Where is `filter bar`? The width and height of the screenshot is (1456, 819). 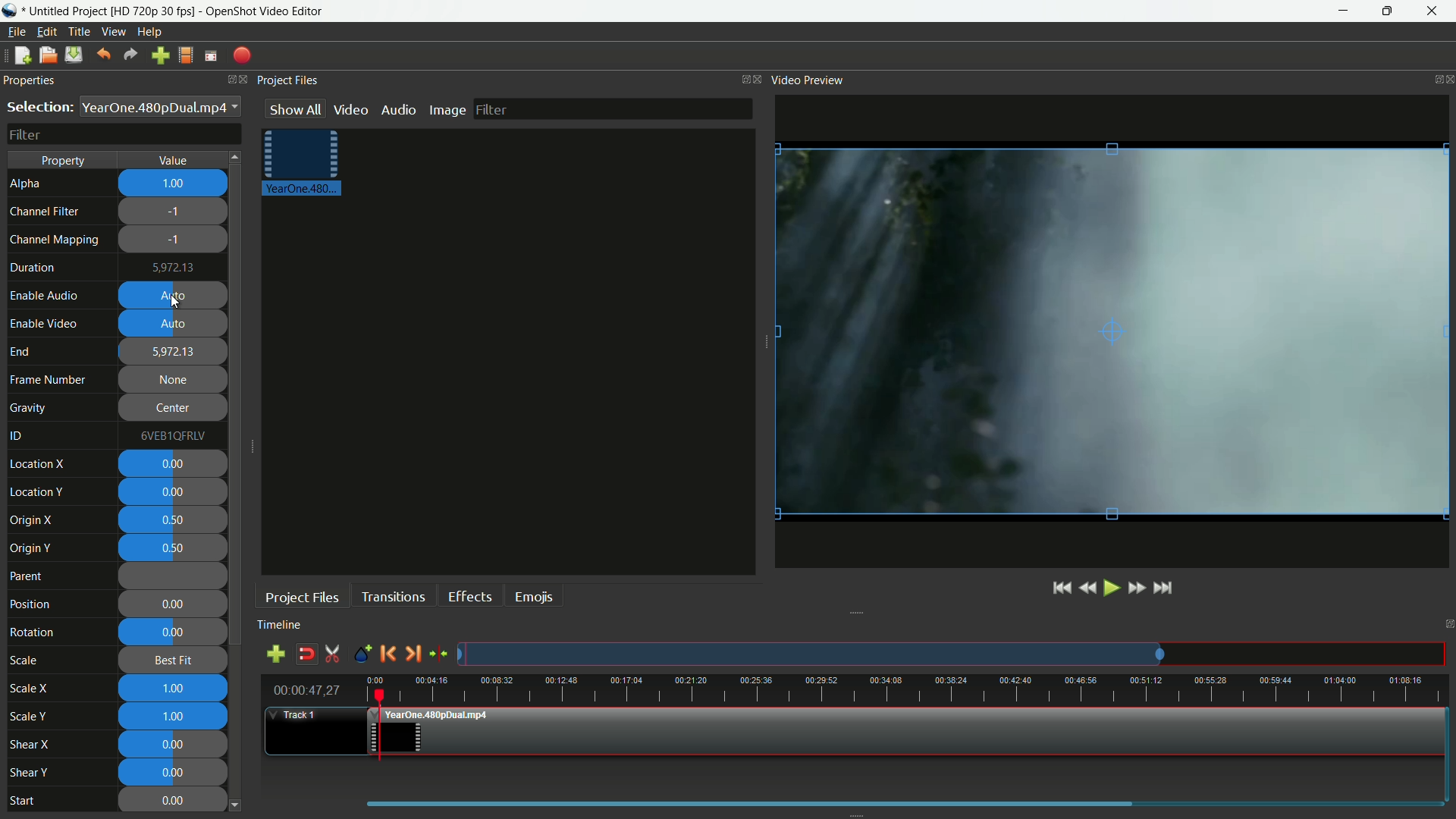 filter bar is located at coordinates (617, 111).